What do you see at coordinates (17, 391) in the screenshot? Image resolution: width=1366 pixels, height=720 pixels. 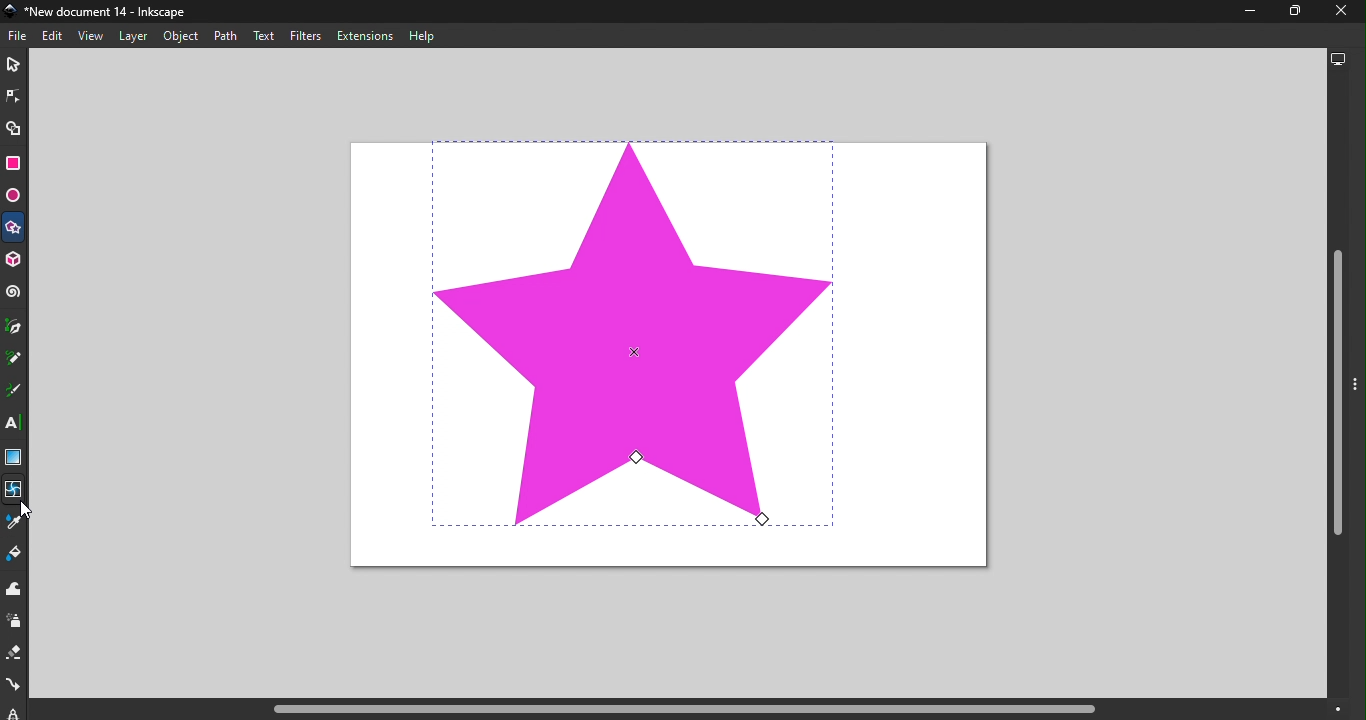 I see `Calligraphy tool` at bounding box center [17, 391].